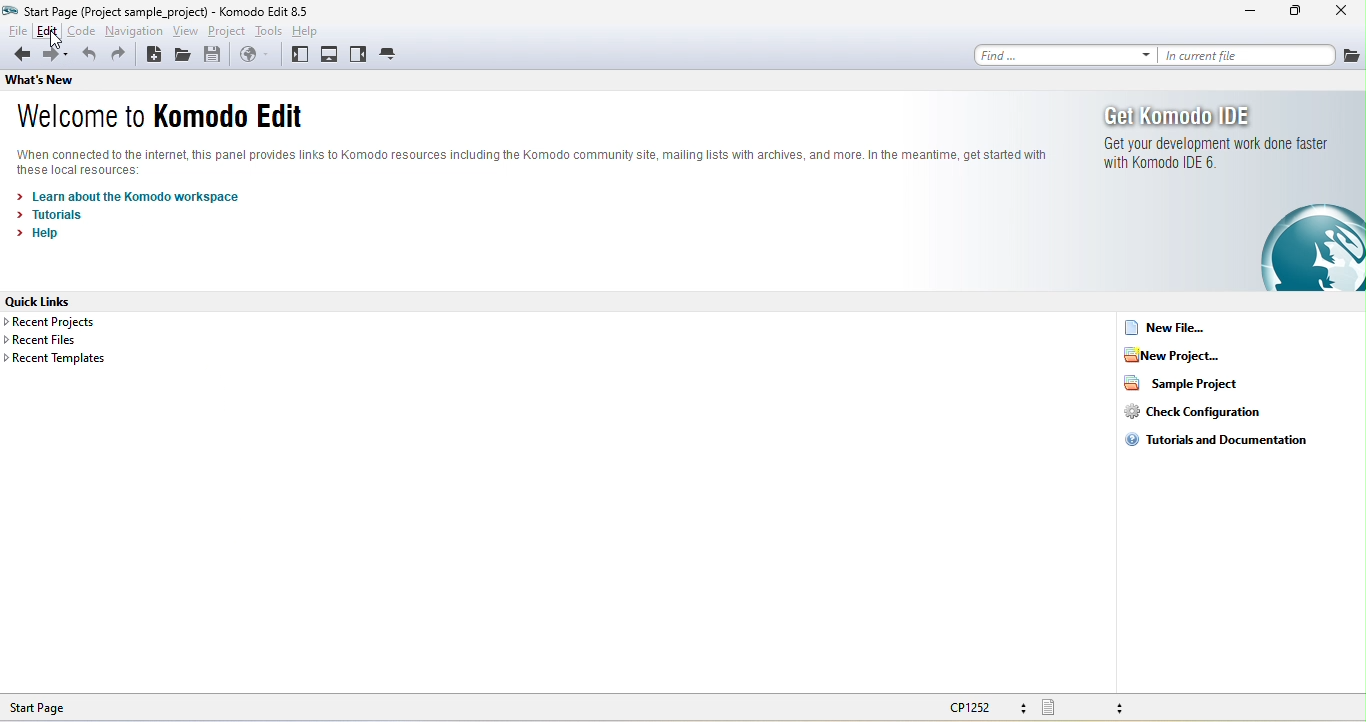 This screenshot has height=722, width=1366. What do you see at coordinates (269, 31) in the screenshot?
I see `tools` at bounding box center [269, 31].